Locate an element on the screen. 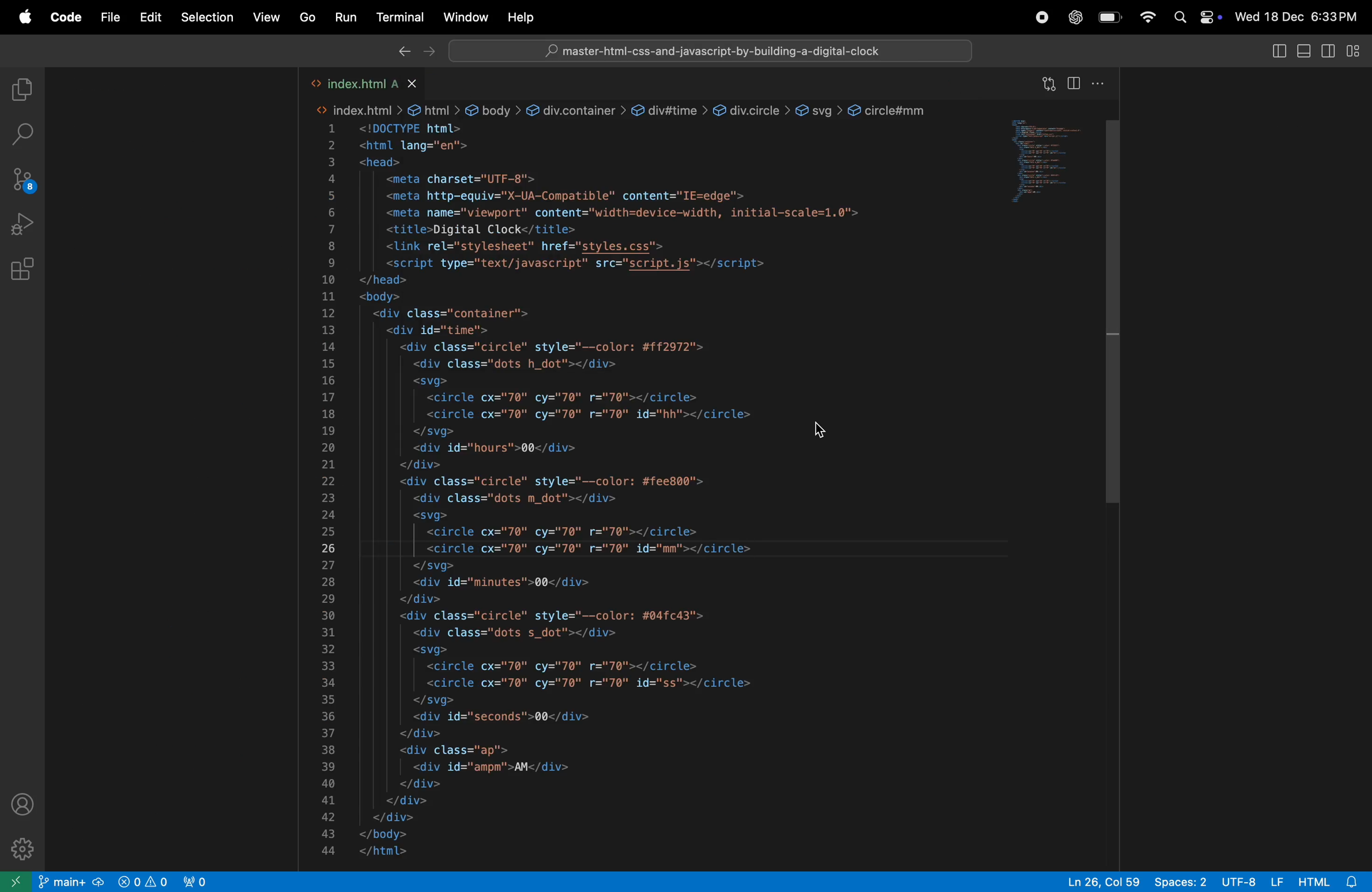  utf-8 lf is located at coordinates (1250, 880).